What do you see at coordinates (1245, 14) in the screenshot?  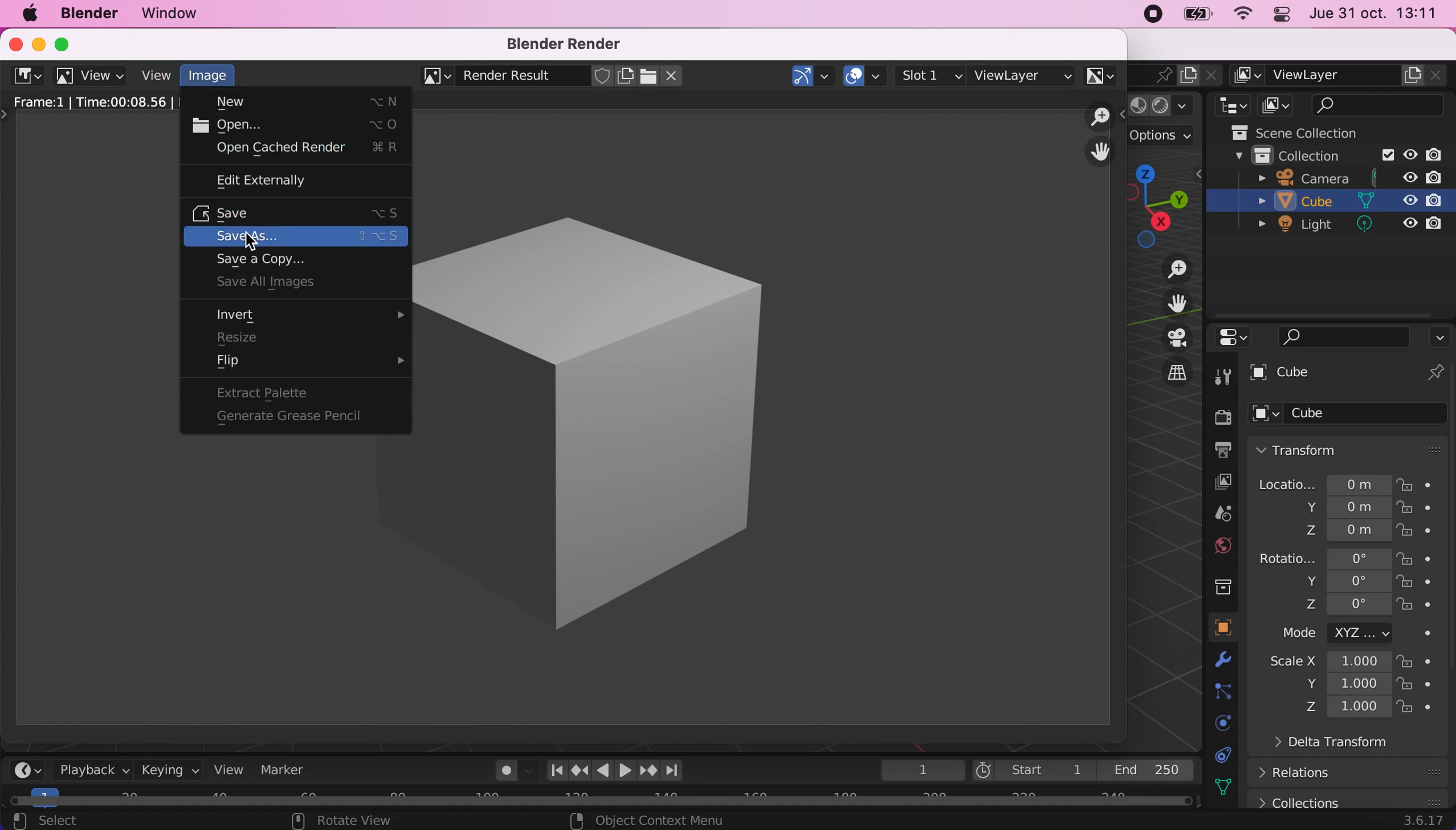 I see `wifi` at bounding box center [1245, 14].